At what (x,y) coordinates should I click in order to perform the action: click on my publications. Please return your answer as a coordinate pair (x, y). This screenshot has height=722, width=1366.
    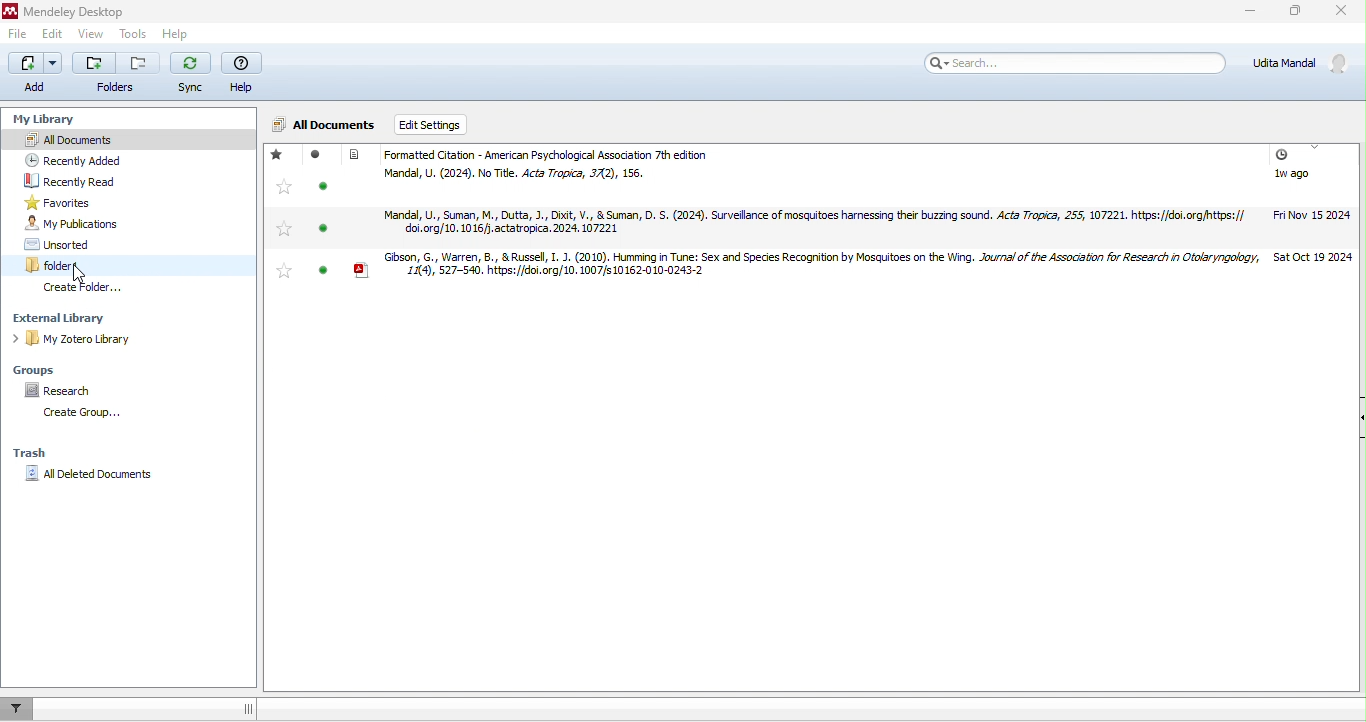
    Looking at the image, I should click on (85, 223).